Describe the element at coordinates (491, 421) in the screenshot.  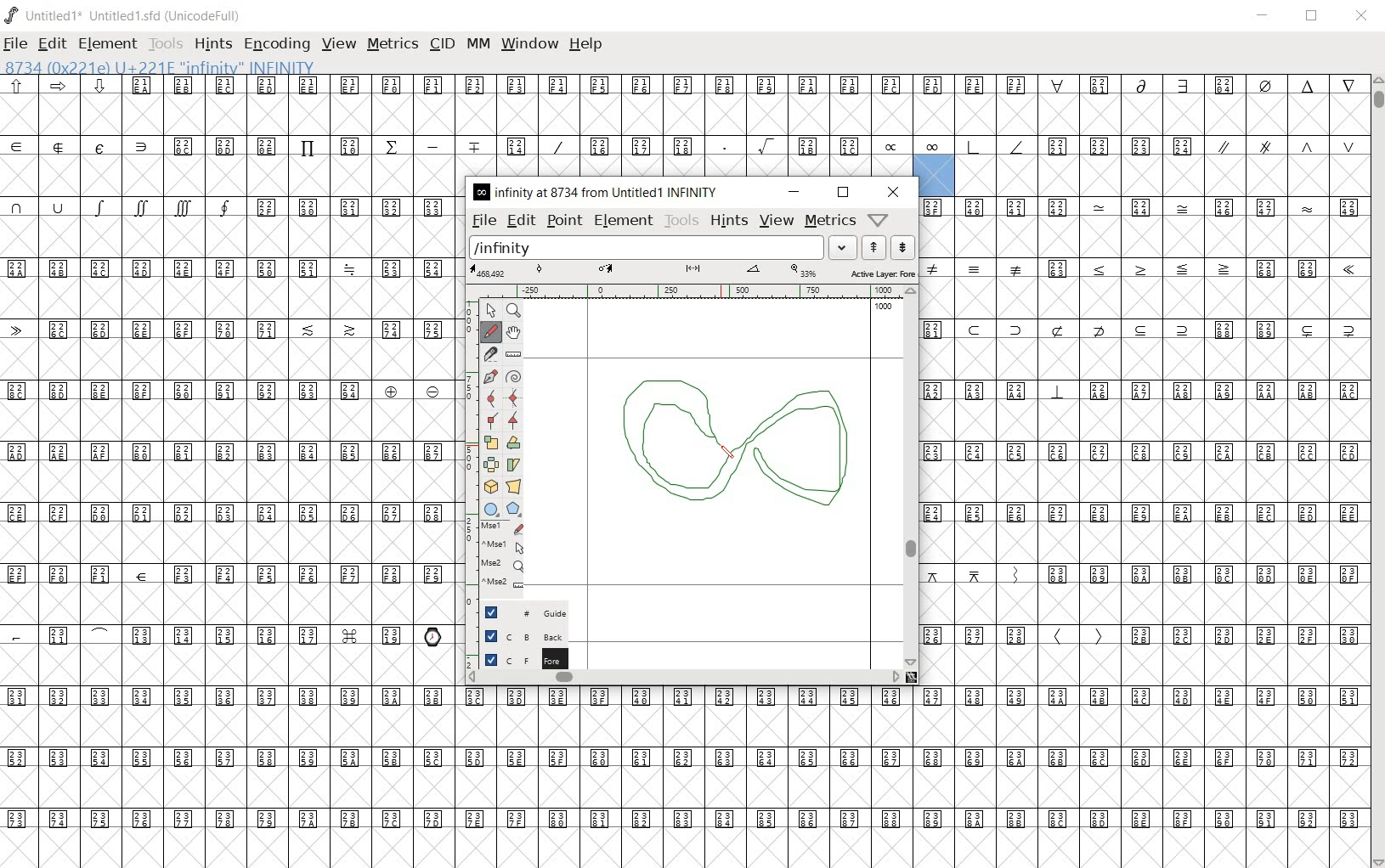
I see `Add a corner point` at that location.